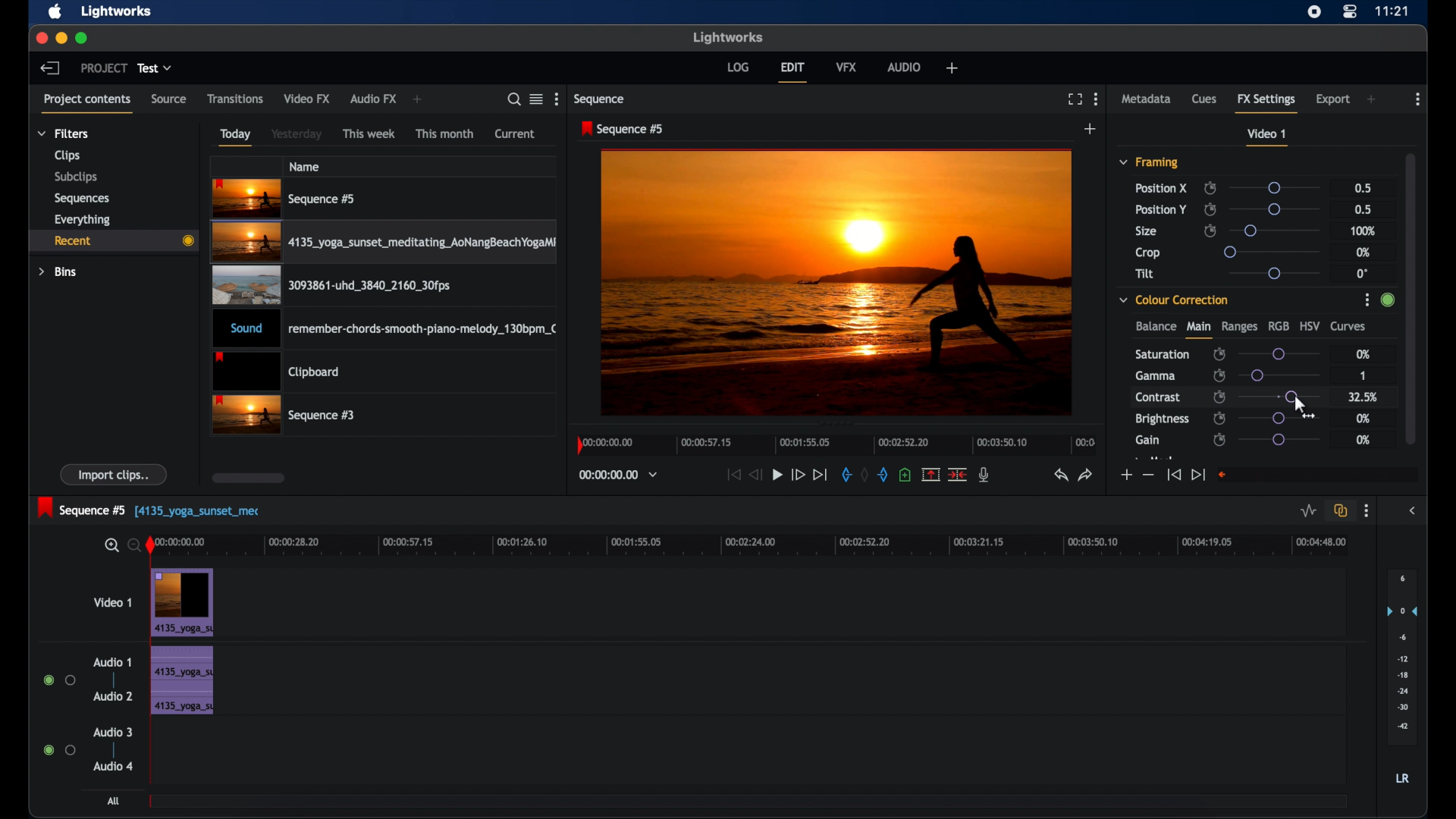 Image resolution: width=1456 pixels, height=819 pixels. Describe the element at coordinates (601, 99) in the screenshot. I see `sequence` at that location.